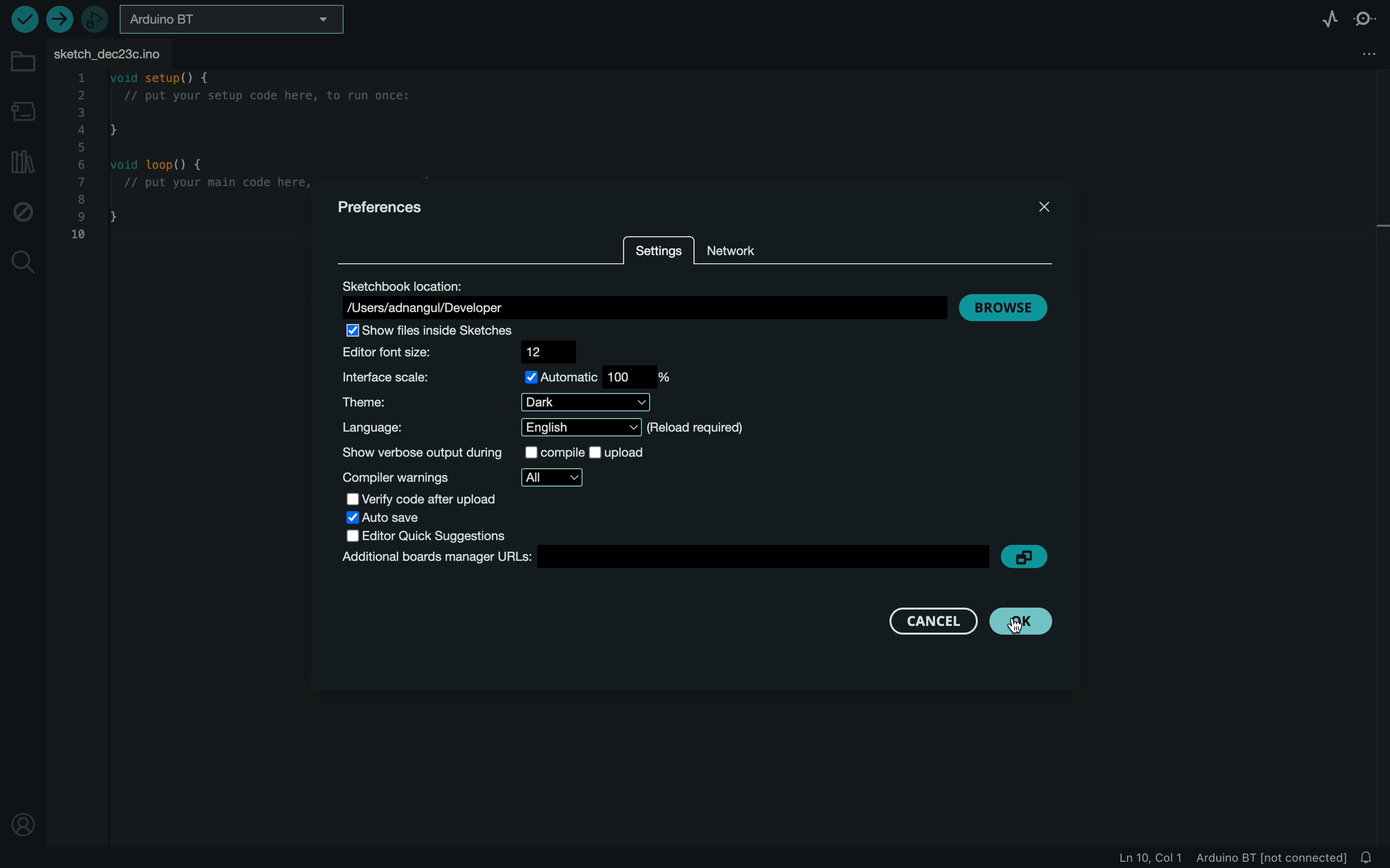  Describe the element at coordinates (22, 262) in the screenshot. I see `search` at that location.